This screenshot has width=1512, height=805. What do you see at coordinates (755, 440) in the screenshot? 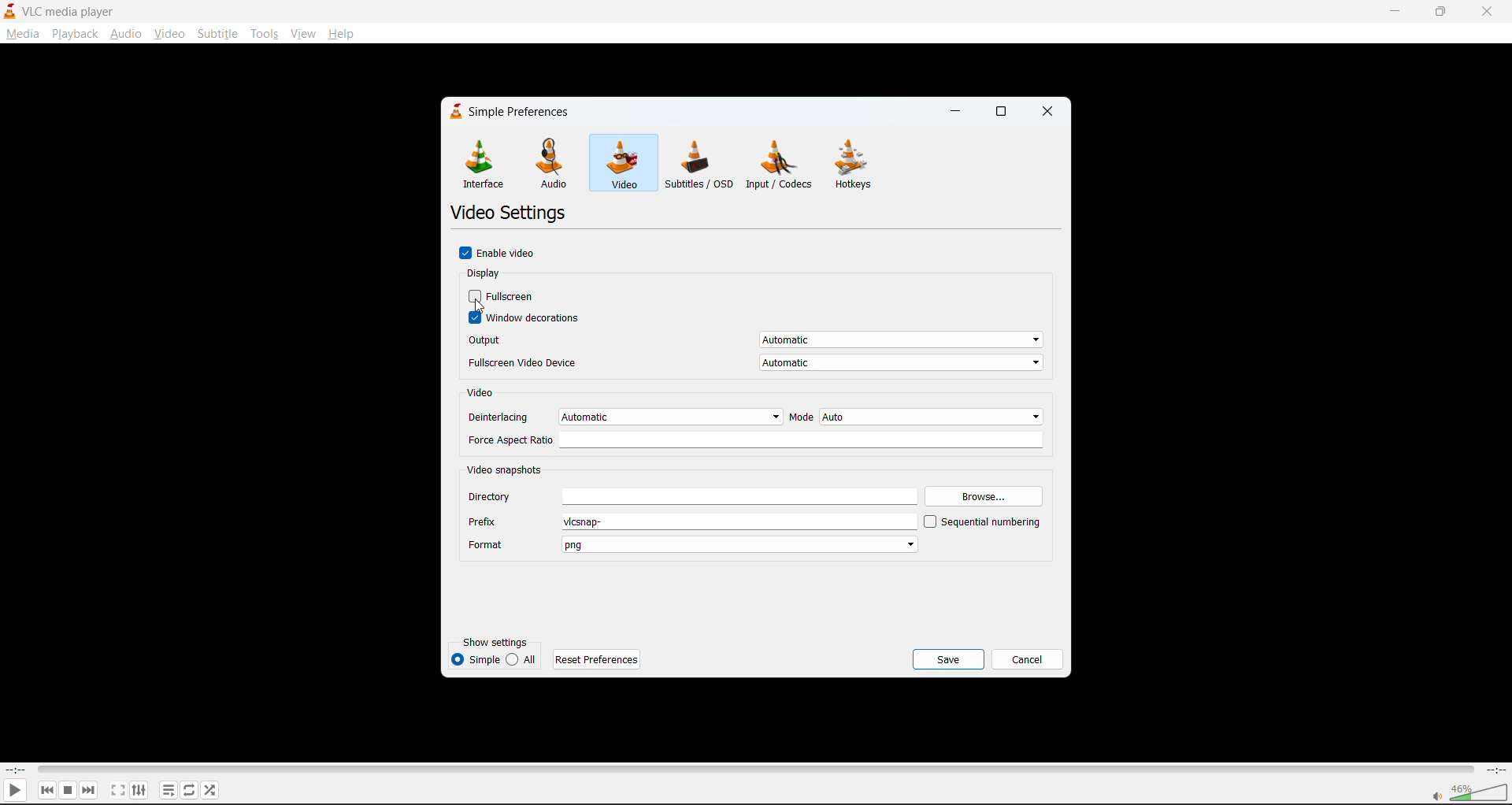
I see `force aspect ratio` at bounding box center [755, 440].